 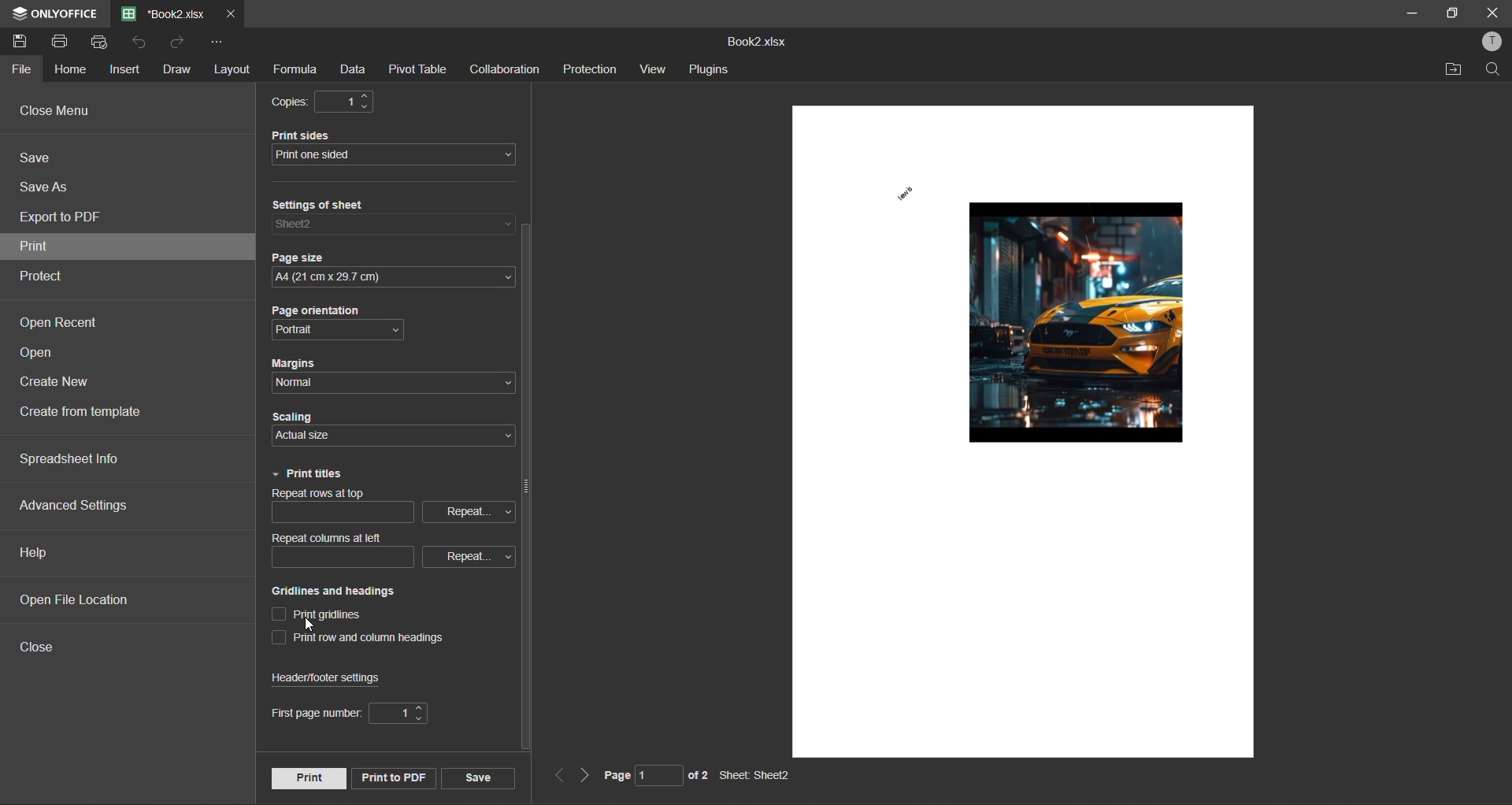 What do you see at coordinates (20, 42) in the screenshot?
I see `save` at bounding box center [20, 42].